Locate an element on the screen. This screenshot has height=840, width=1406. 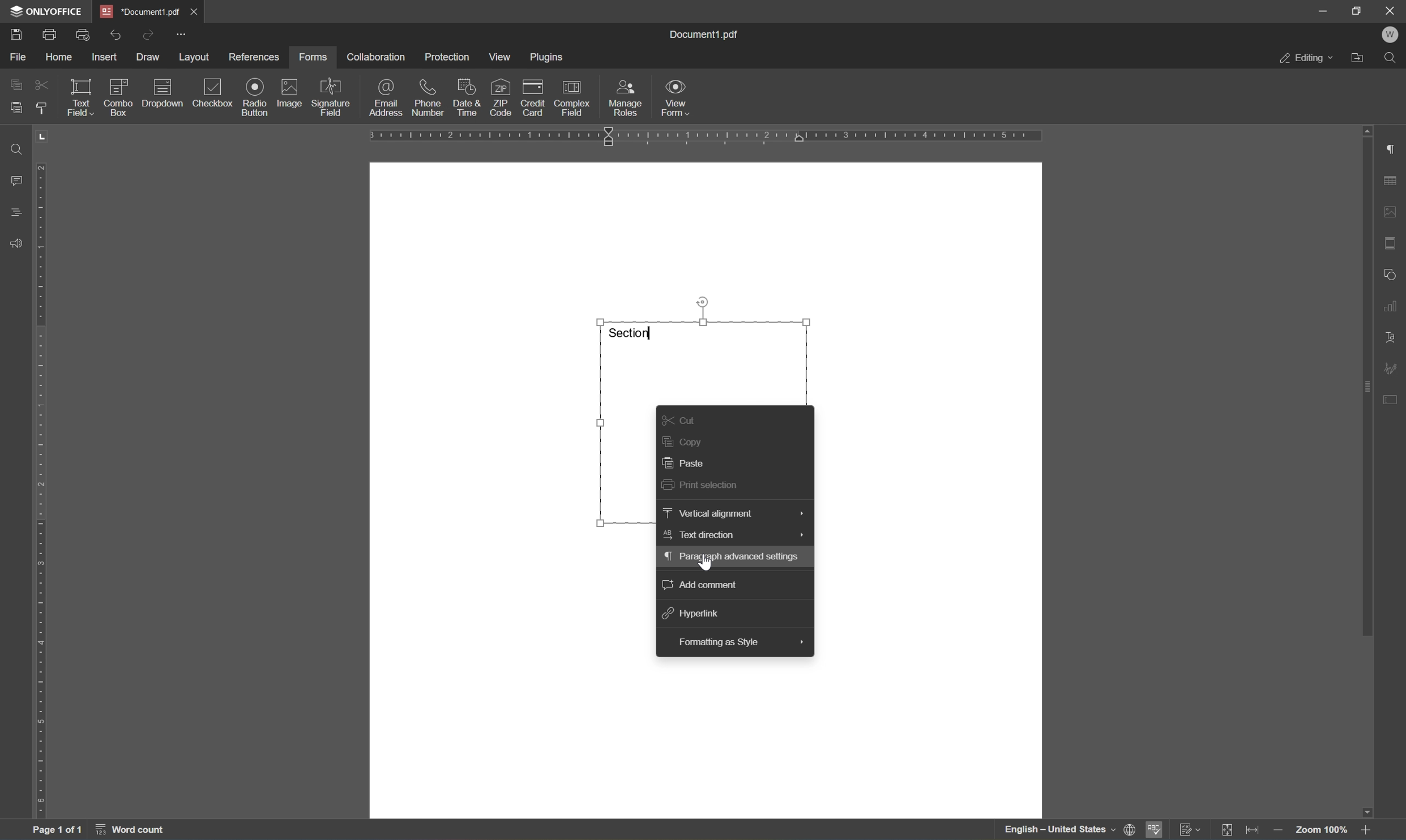
headings is located at coordinates (16, 212).